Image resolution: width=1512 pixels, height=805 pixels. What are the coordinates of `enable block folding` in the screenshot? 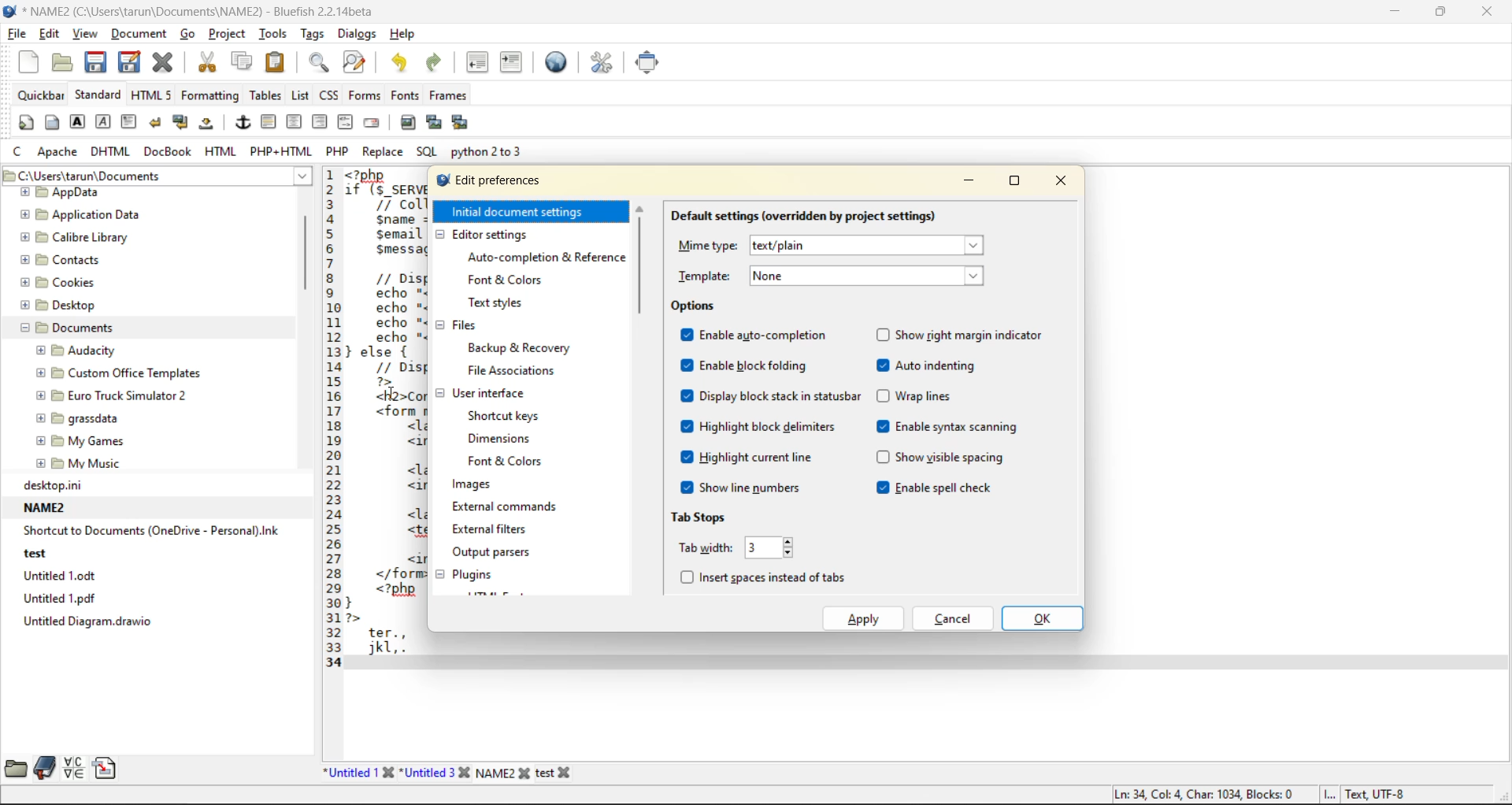 It's located at (743, 367).